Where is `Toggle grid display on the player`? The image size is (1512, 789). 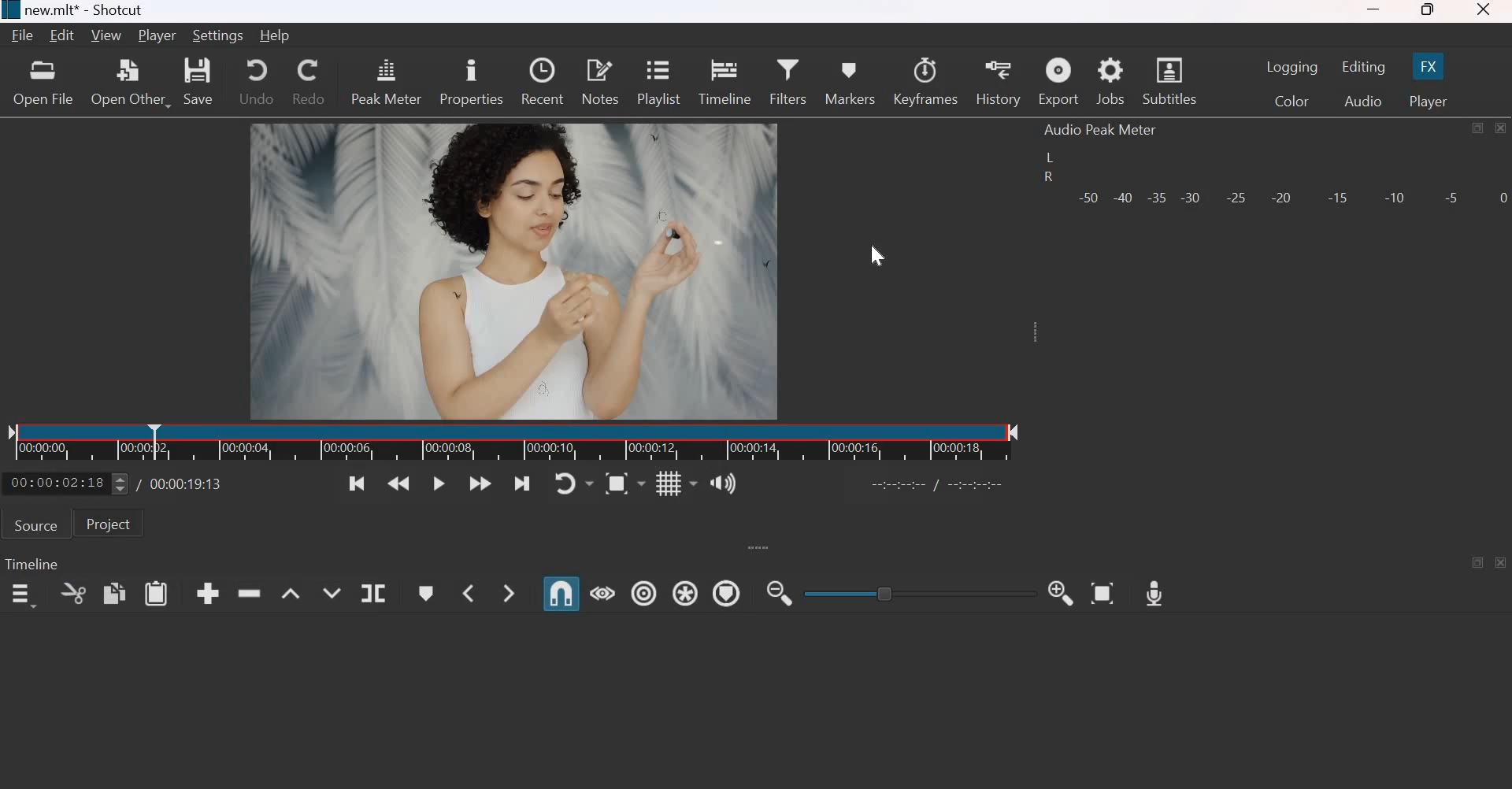 Toggle grid display on the player is located at coordinates (676, 484).